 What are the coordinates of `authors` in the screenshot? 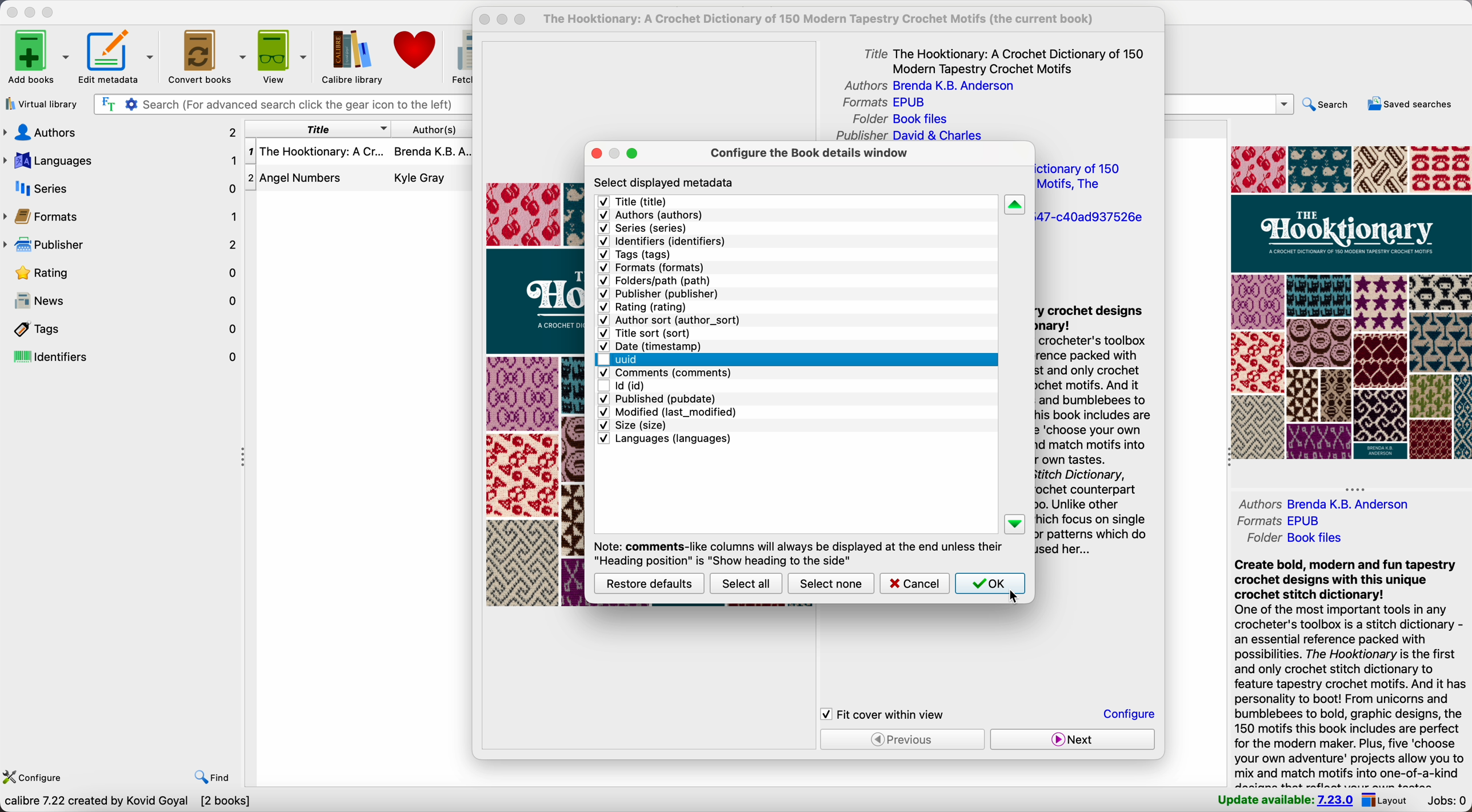 It's located at (122, 132).